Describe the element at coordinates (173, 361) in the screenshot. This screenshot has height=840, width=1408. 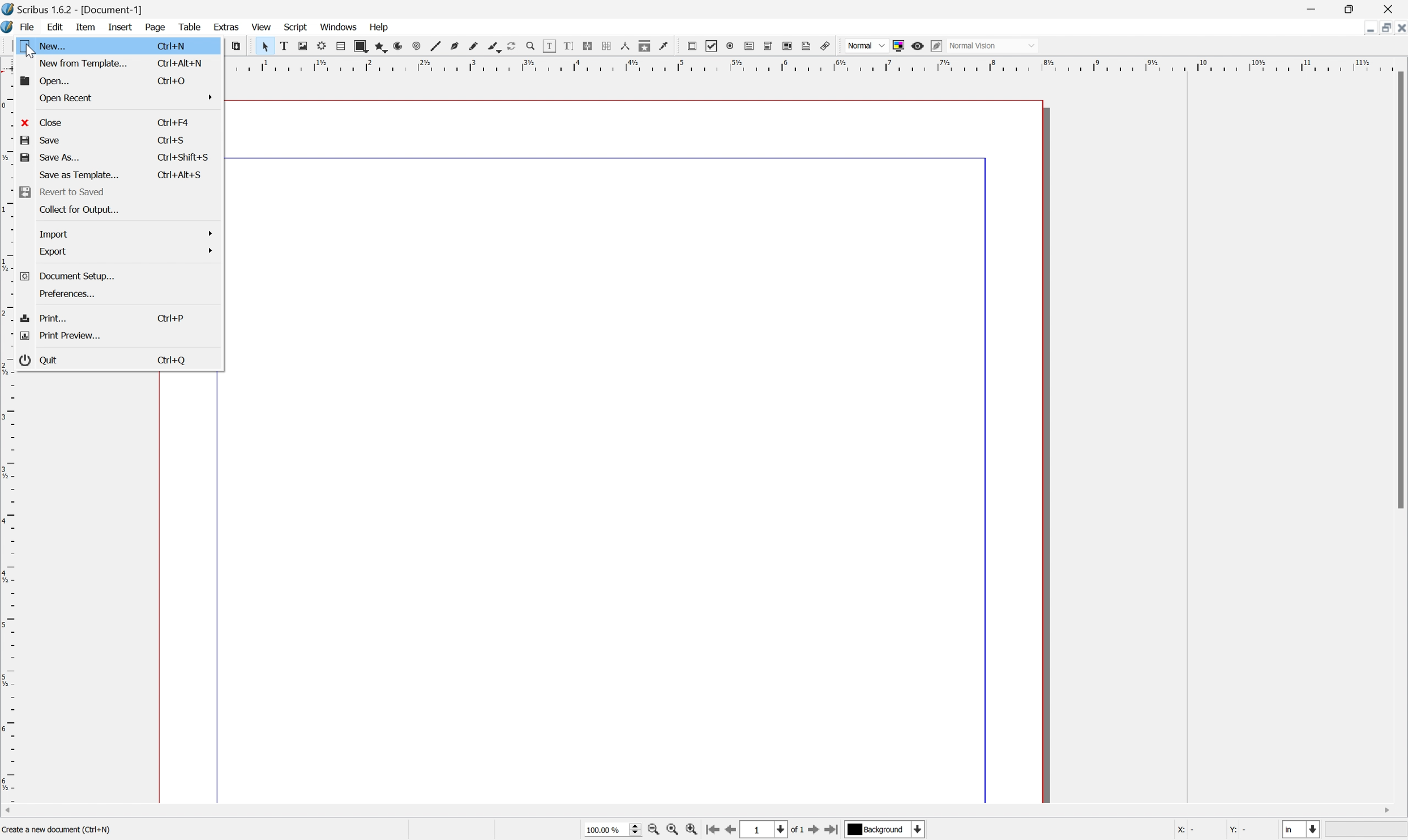
I see `ctrl+q` at that location.